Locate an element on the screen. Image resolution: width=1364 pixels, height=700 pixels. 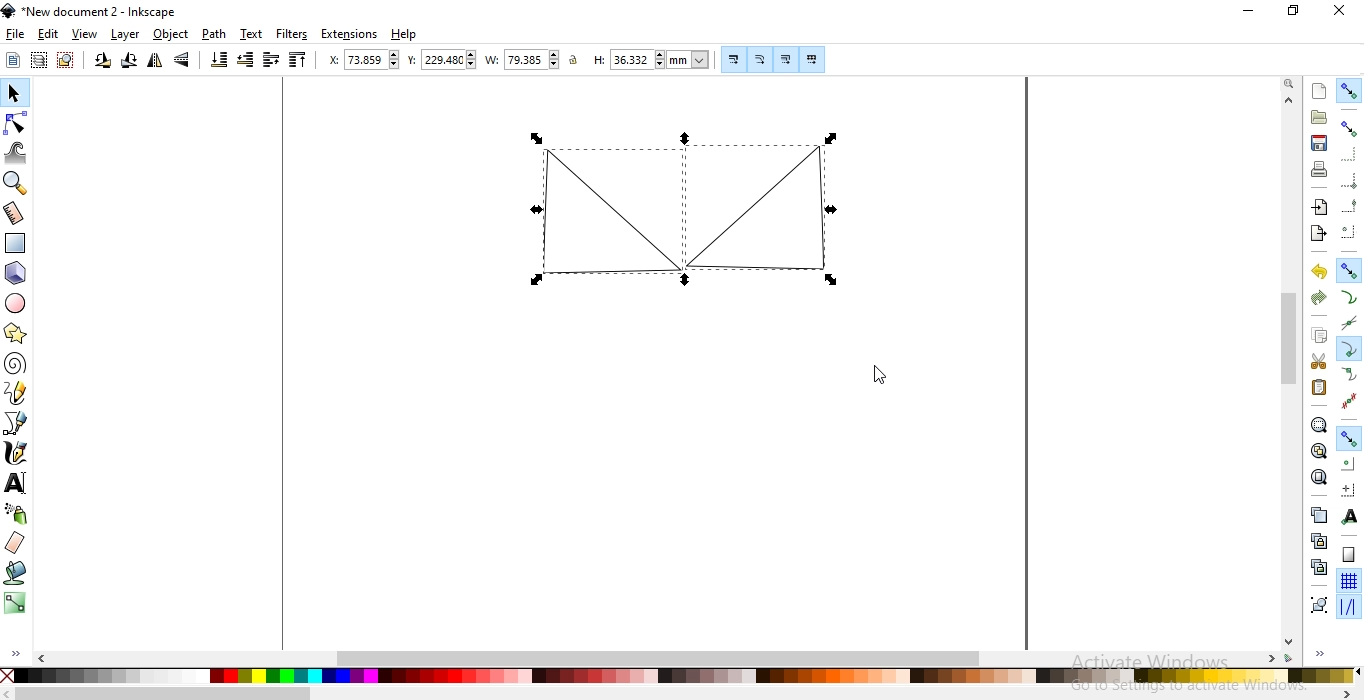
view is located at coordinates (85, 34).